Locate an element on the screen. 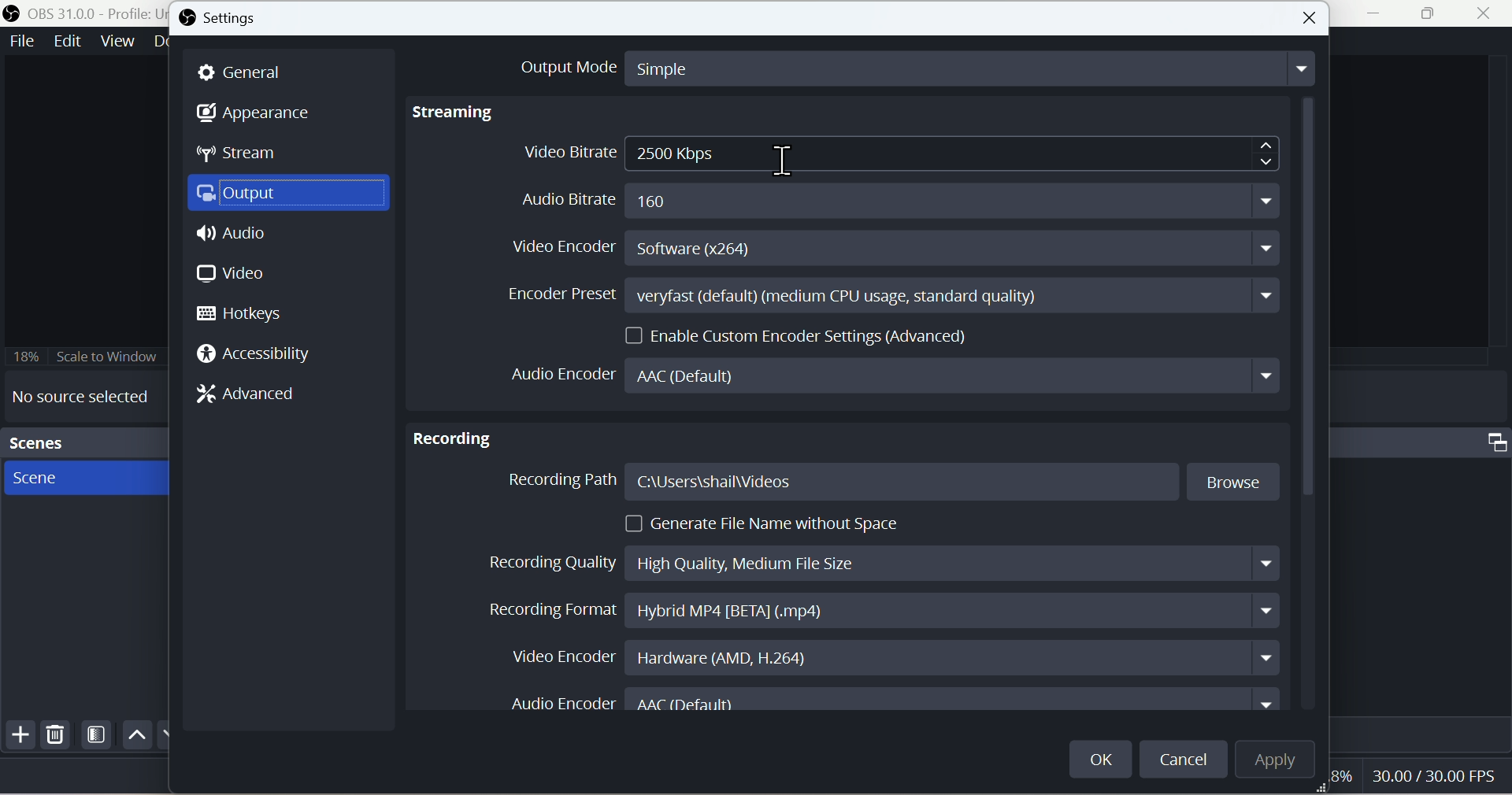 Image resolution: width=1512 pixels, height=795 pixels. 8% is located at coordinates (1342, 778).